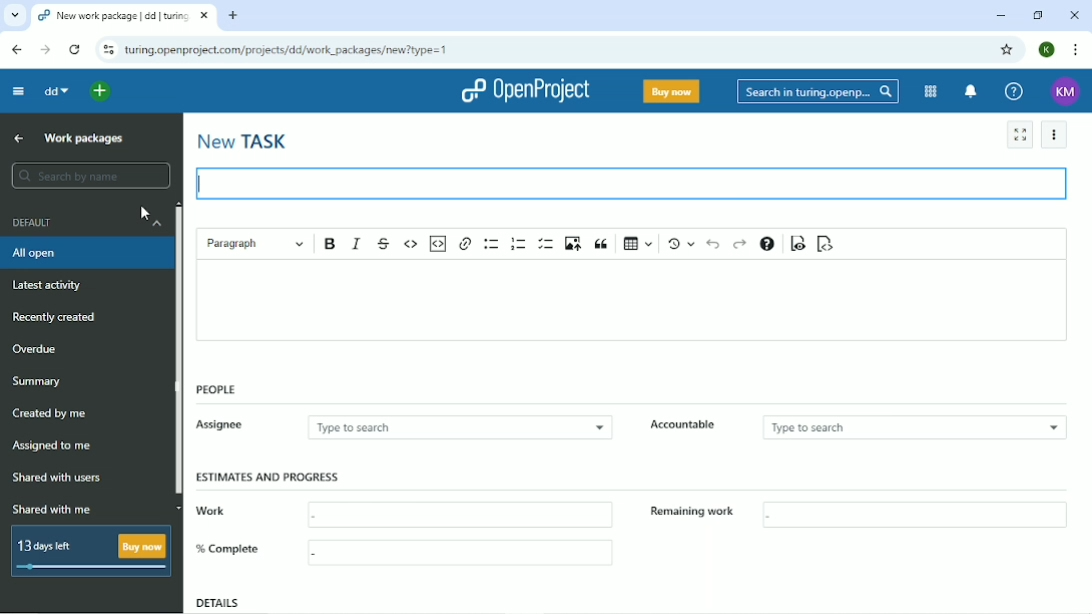  Describe the element at coordinates (45, 49) in the screenshot. I see `Forward` at that location.